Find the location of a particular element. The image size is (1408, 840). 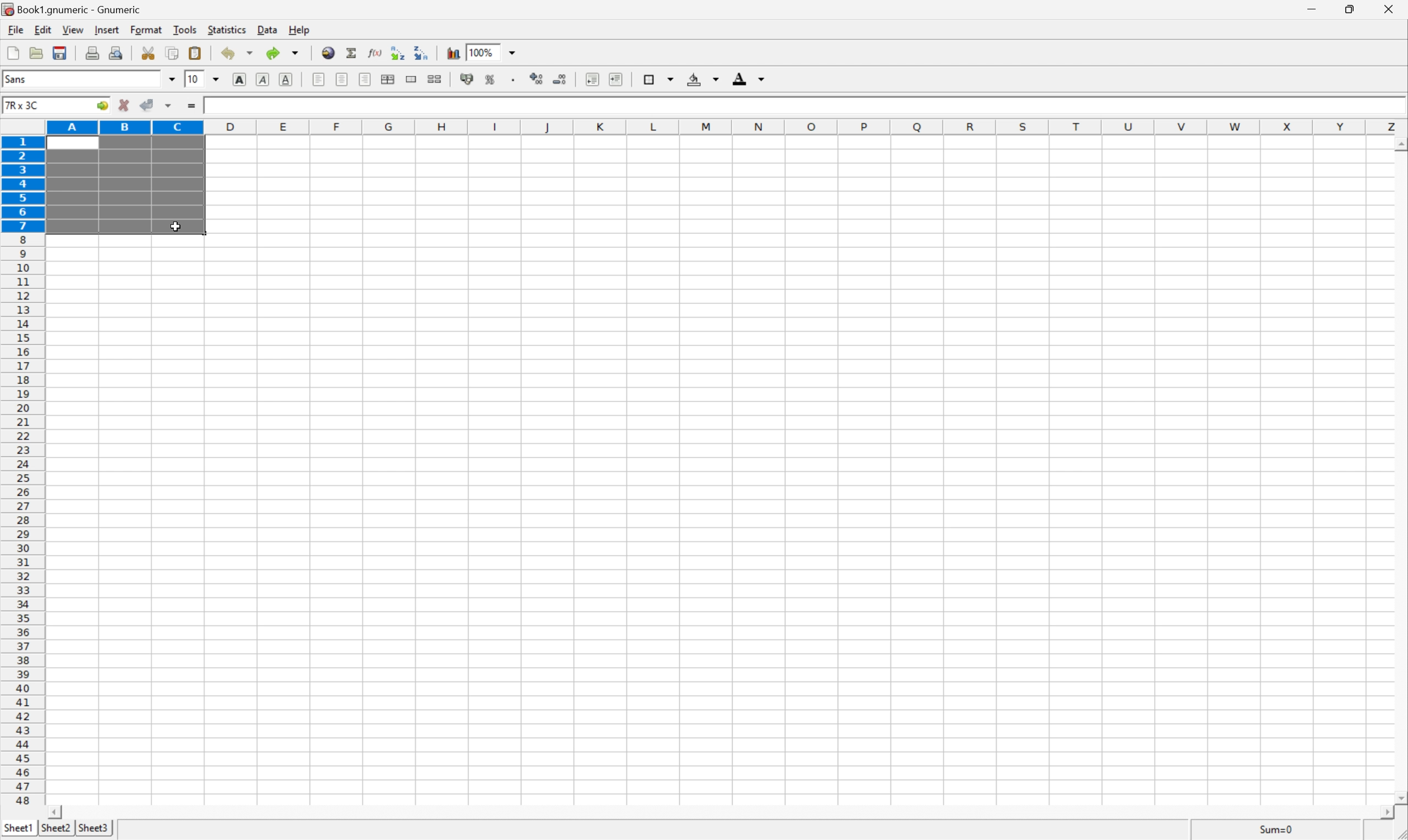

7R×3C is located at coordinates (43, 105).